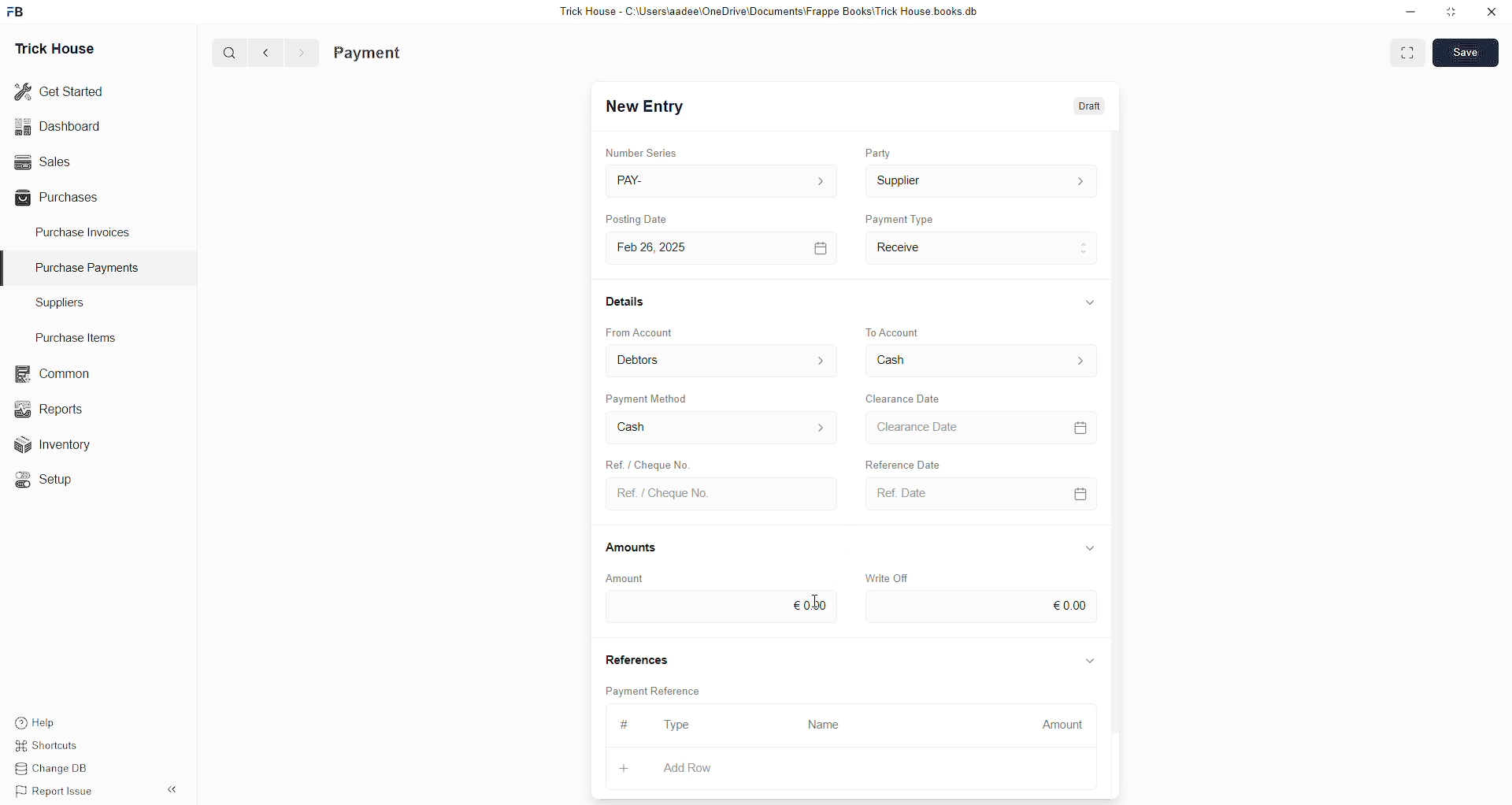  What do you see at coordinates (1492, 12) in the screenshot?
I see `close` at bounding box center [1492, 12].